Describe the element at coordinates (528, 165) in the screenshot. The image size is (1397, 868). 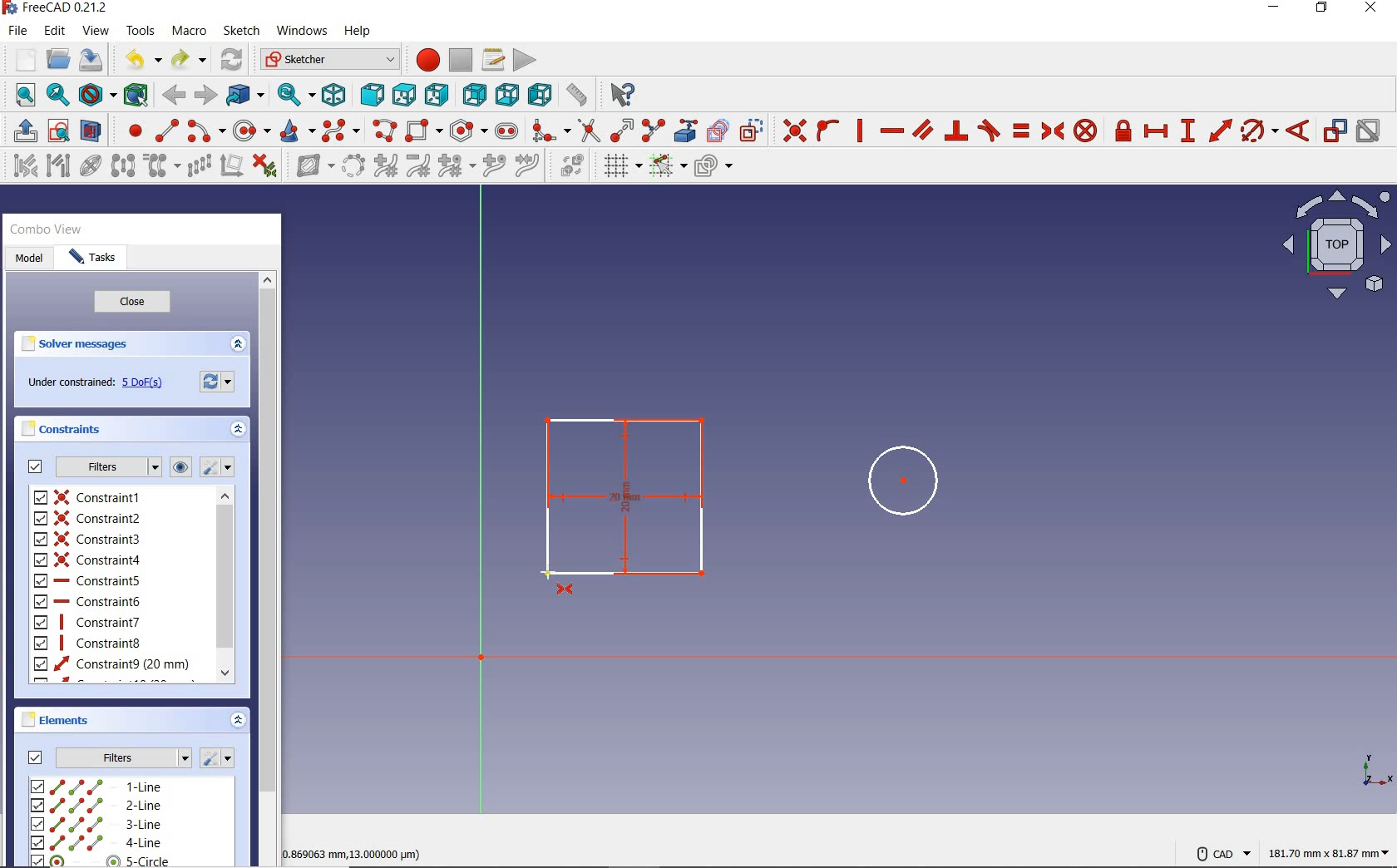
I see `join curves` at that location.